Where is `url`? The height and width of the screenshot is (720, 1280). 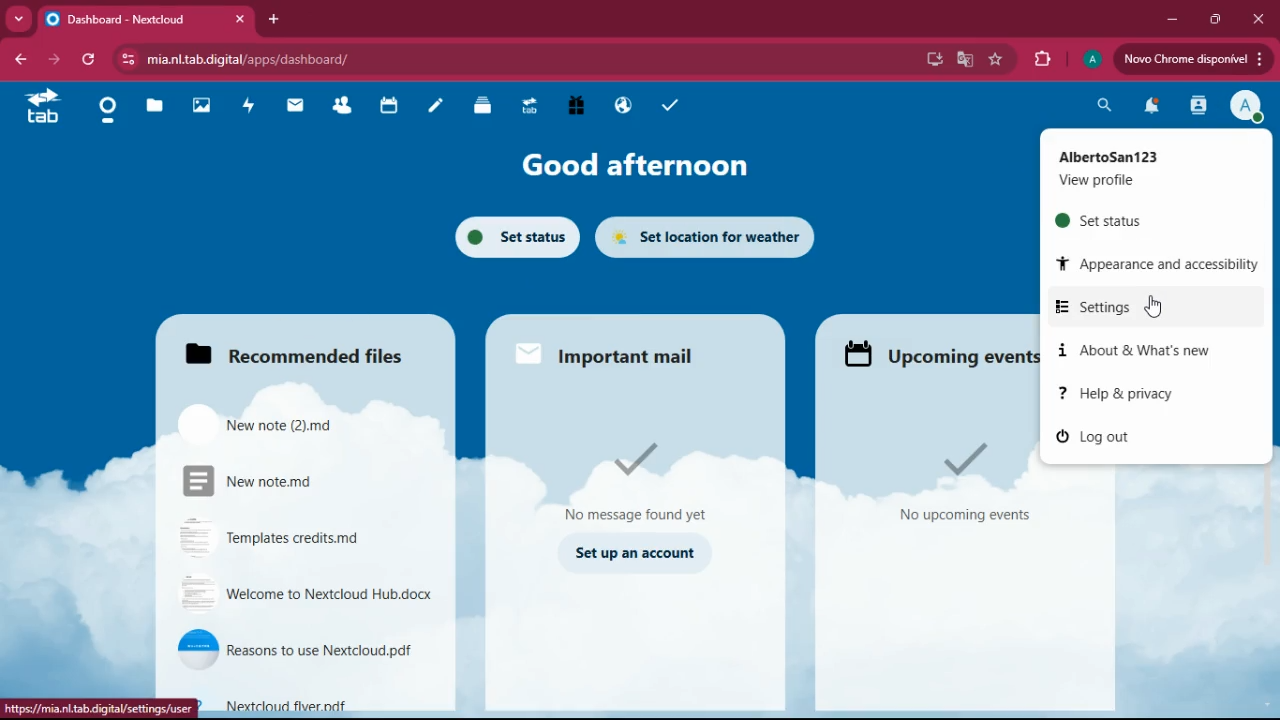 url is located at coordinates (264, 57).